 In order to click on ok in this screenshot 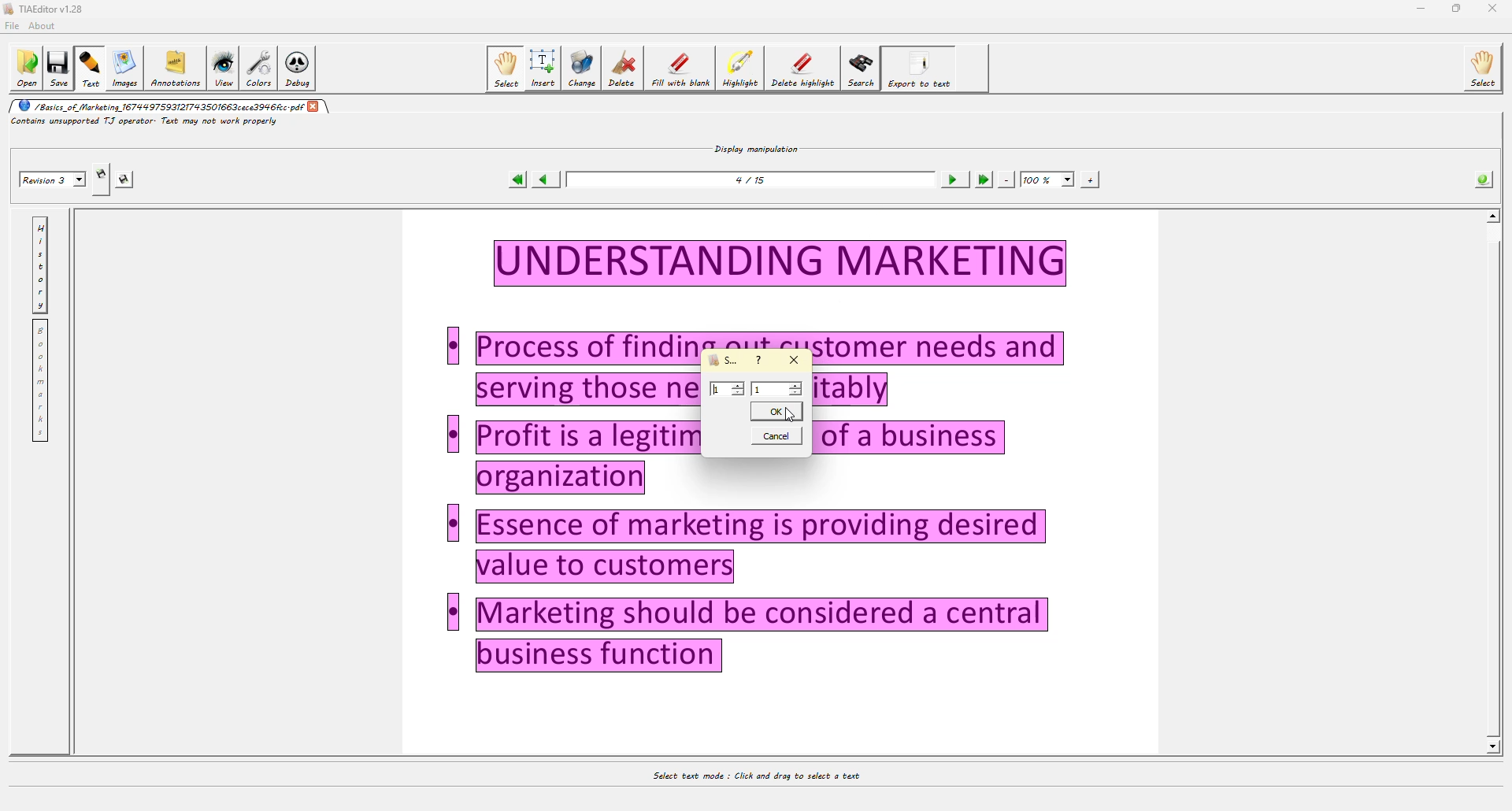, I will do `click(776, 409)`.